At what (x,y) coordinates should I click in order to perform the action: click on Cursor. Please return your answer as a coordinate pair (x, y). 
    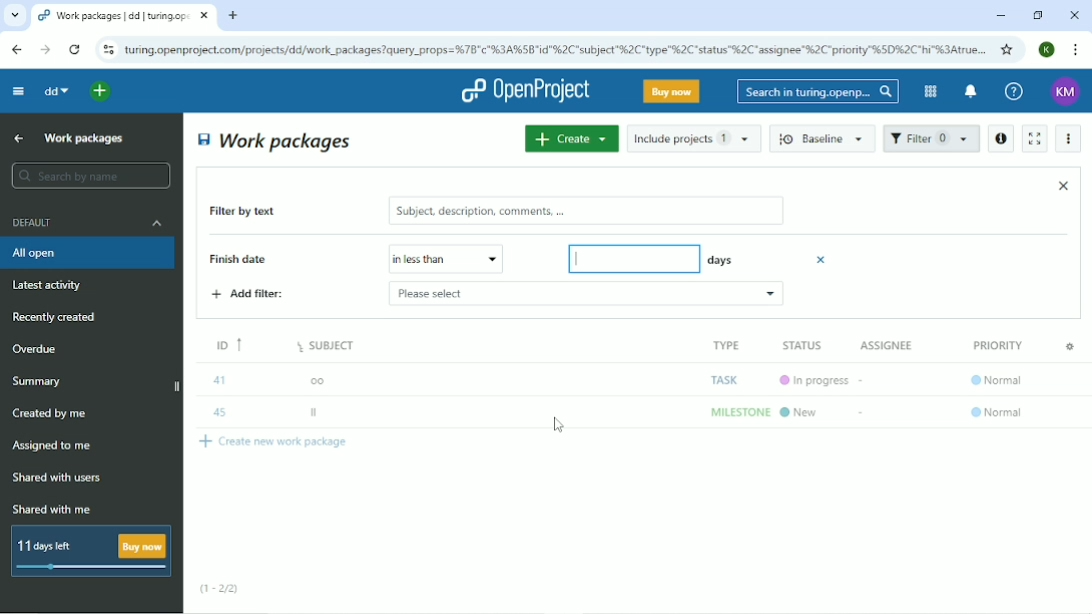
    Looking at the image, I should click on (560, 426).